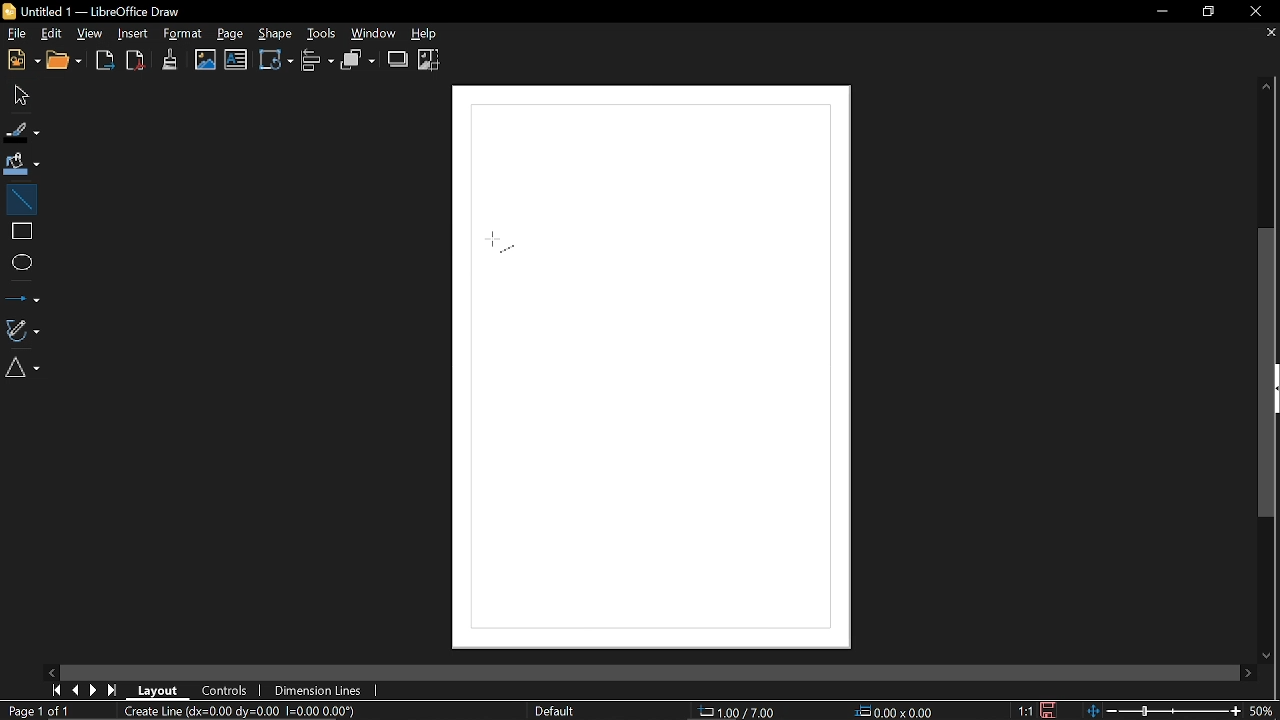 Image resolution: width=1280 pixels, height=720 pixels. What do you see at coordinates (134, 60) in the screenshot?
I see `Export to pdf` at bounding box center [134, 60].